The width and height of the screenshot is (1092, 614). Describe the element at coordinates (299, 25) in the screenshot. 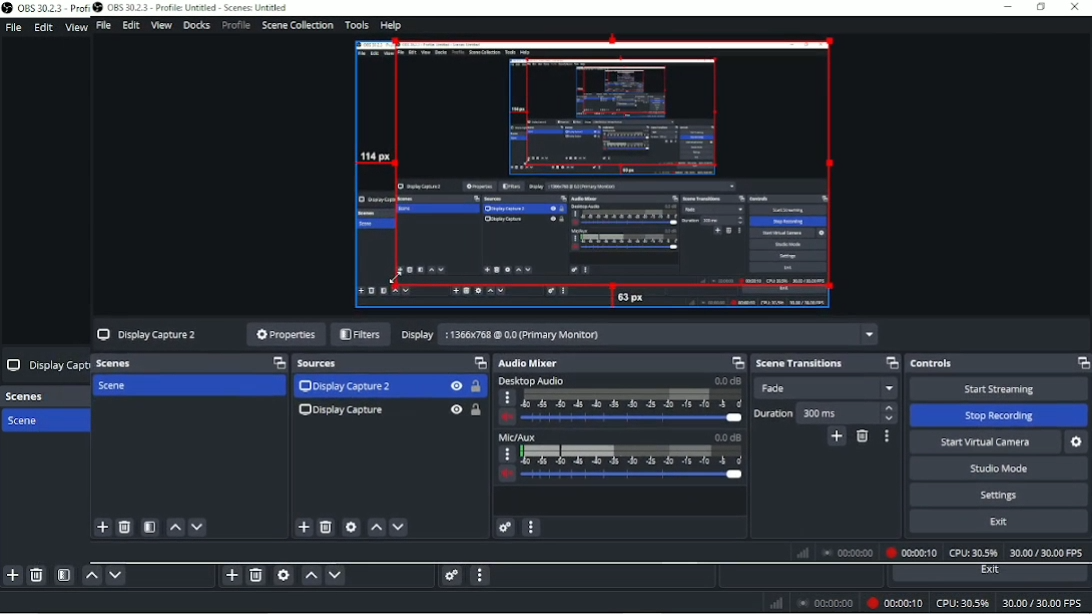

I see `Scene Collection` at that location.